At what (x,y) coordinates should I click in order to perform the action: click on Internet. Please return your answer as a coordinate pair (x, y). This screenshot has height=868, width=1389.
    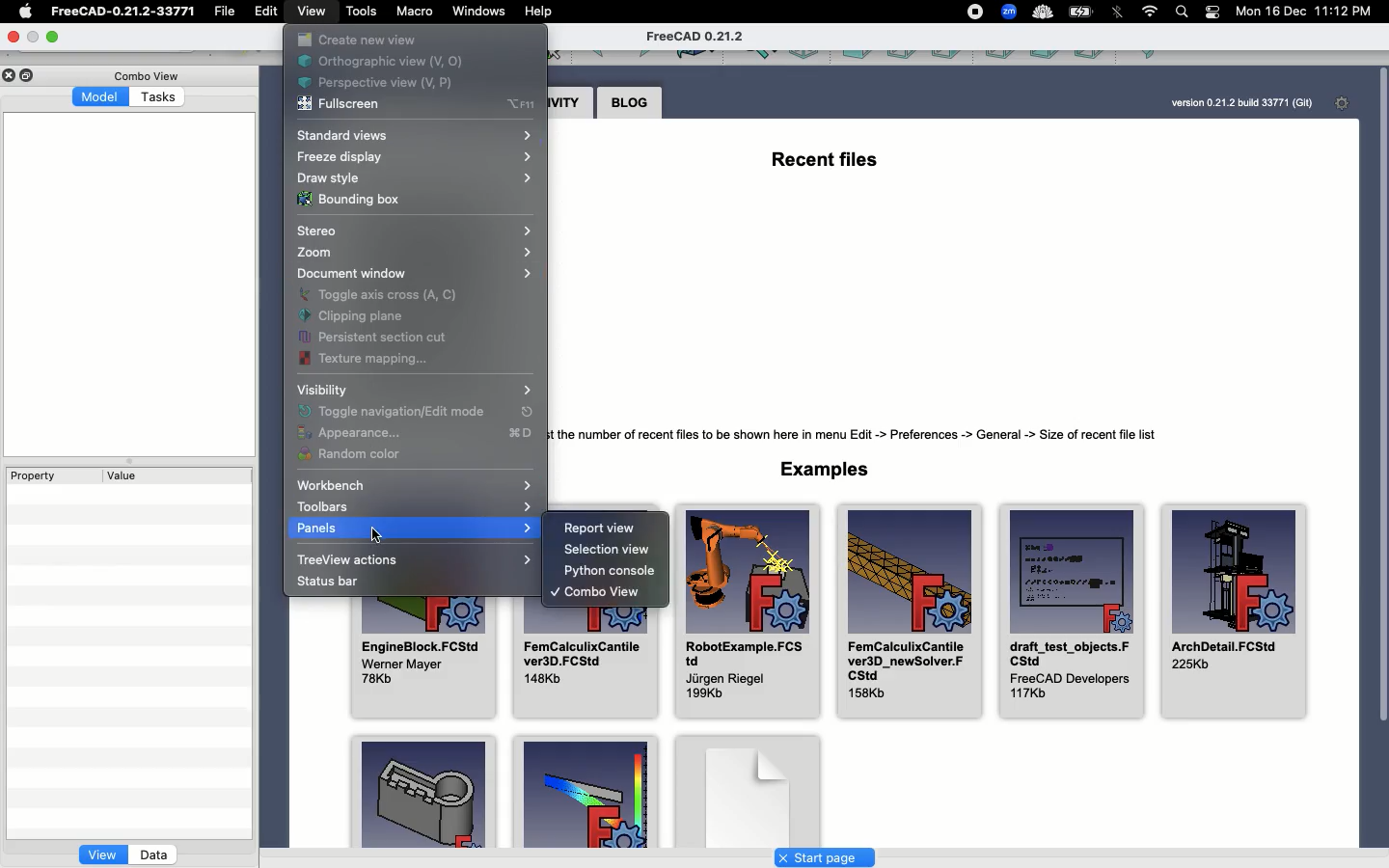
    Looking at the image, I should click on (1151, 12).